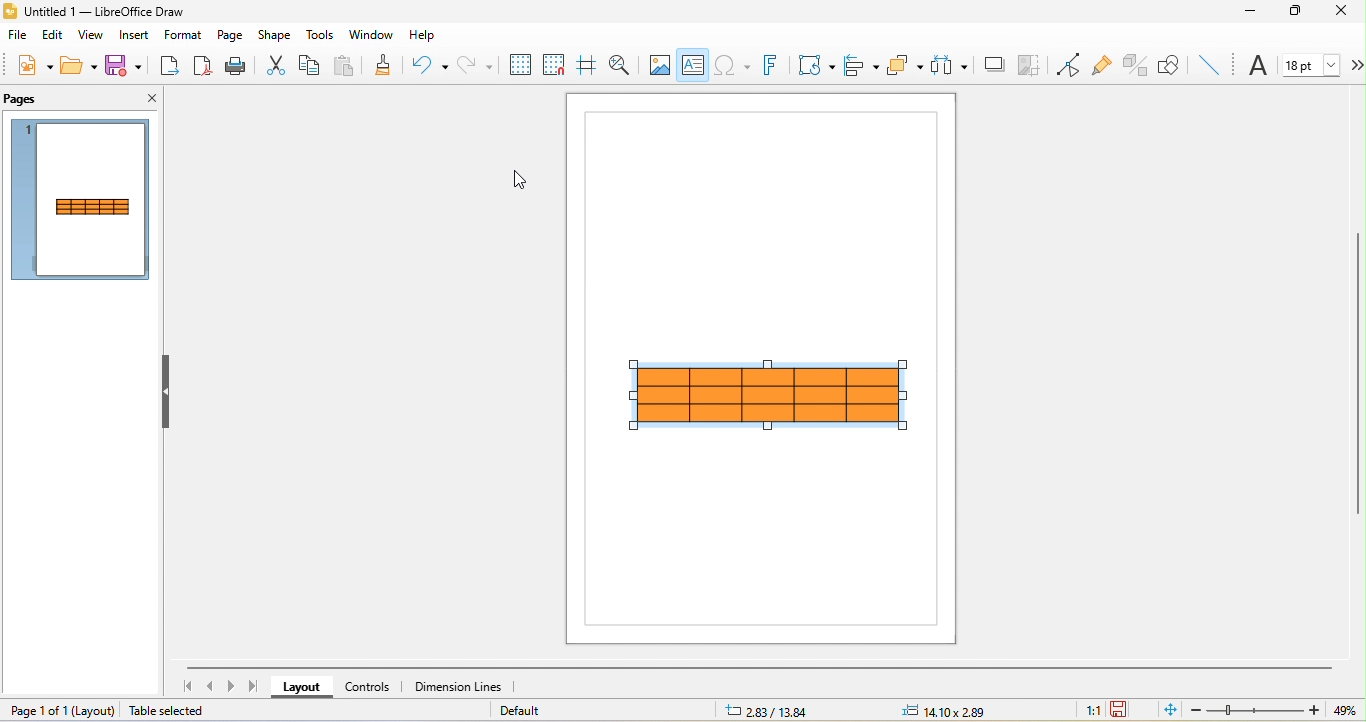 This screenshot has height=722, width=1366. What do you see at coordinates (212, 688) in the screenshot?
I see `previous page` at bounding box center [212, 688].